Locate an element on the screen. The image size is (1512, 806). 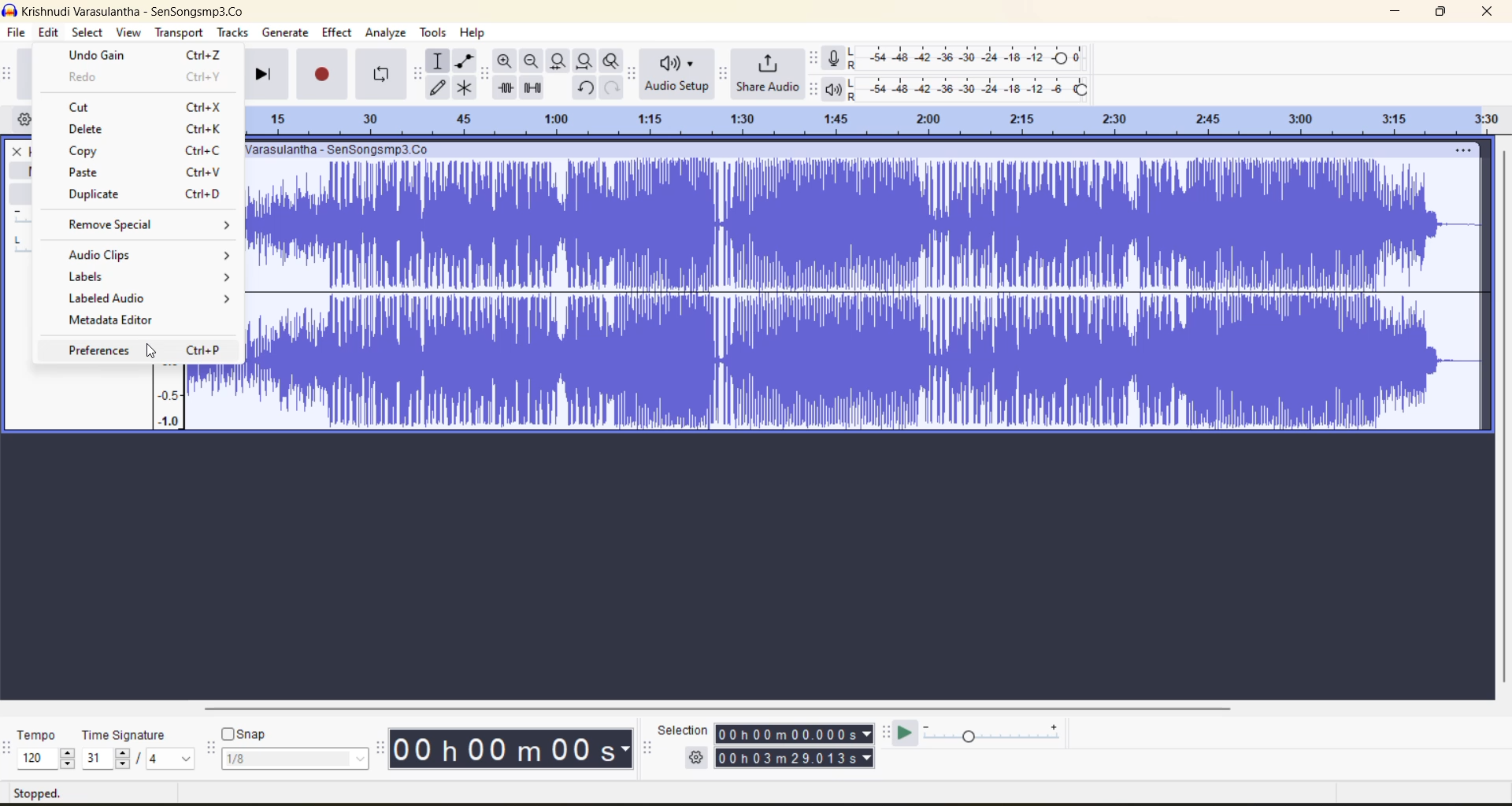
transport tool bar is located at coordinates (10, 75).